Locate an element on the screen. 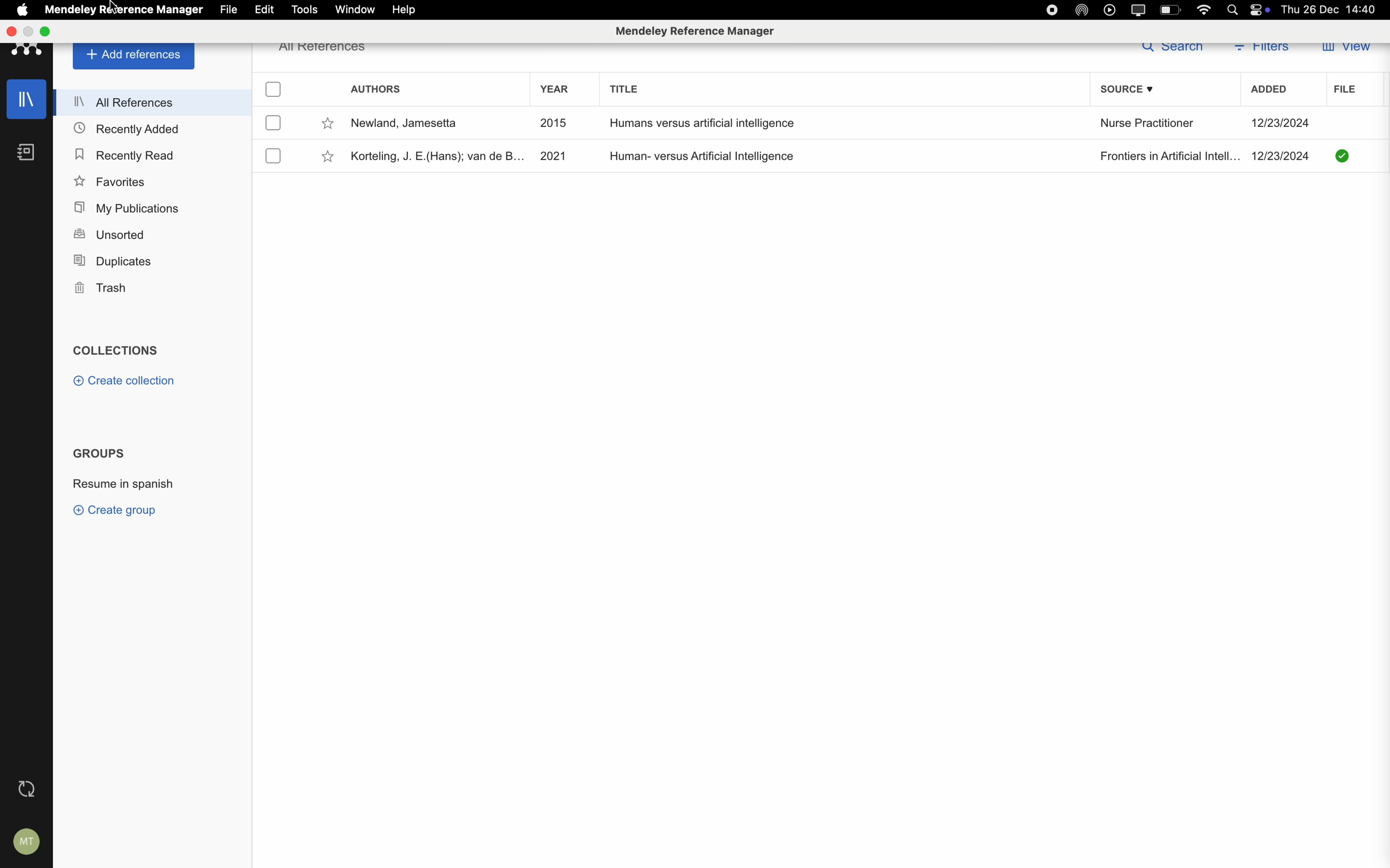 The image size is (1390, 868). Mendeley is located at coordinates (69, 9).